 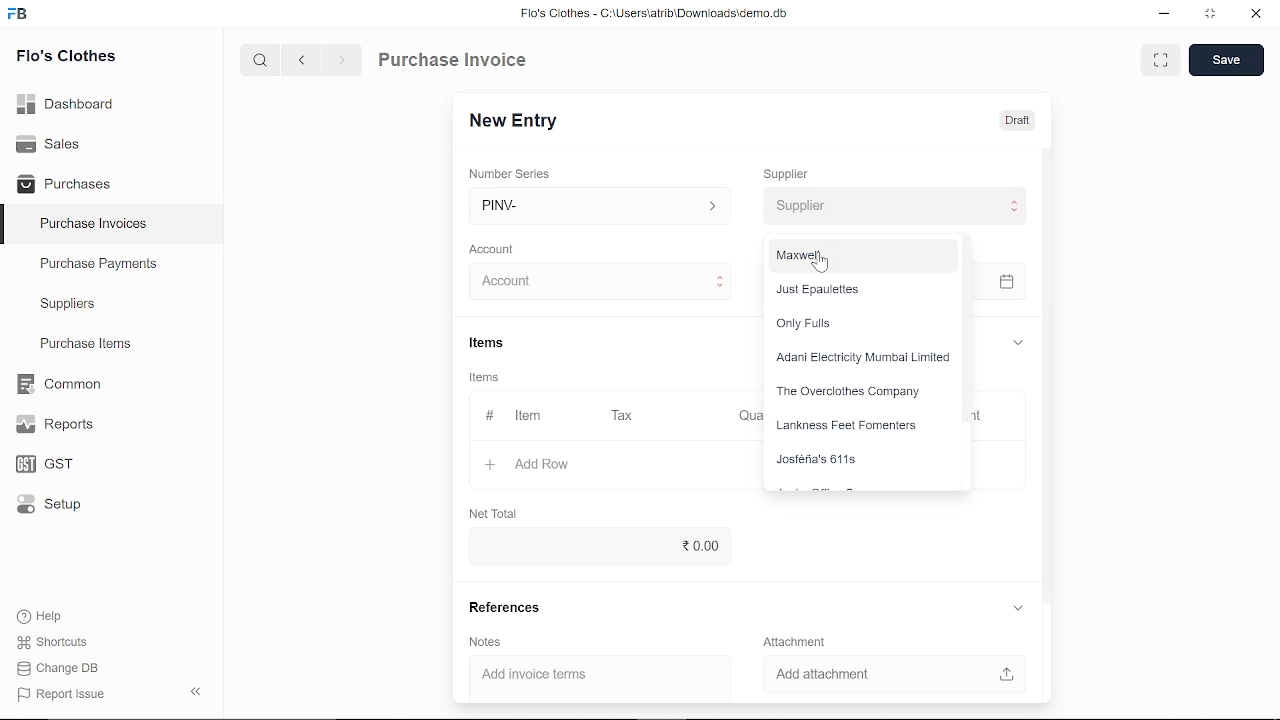 I want to click on Purchases, so click(x=64, y=182).